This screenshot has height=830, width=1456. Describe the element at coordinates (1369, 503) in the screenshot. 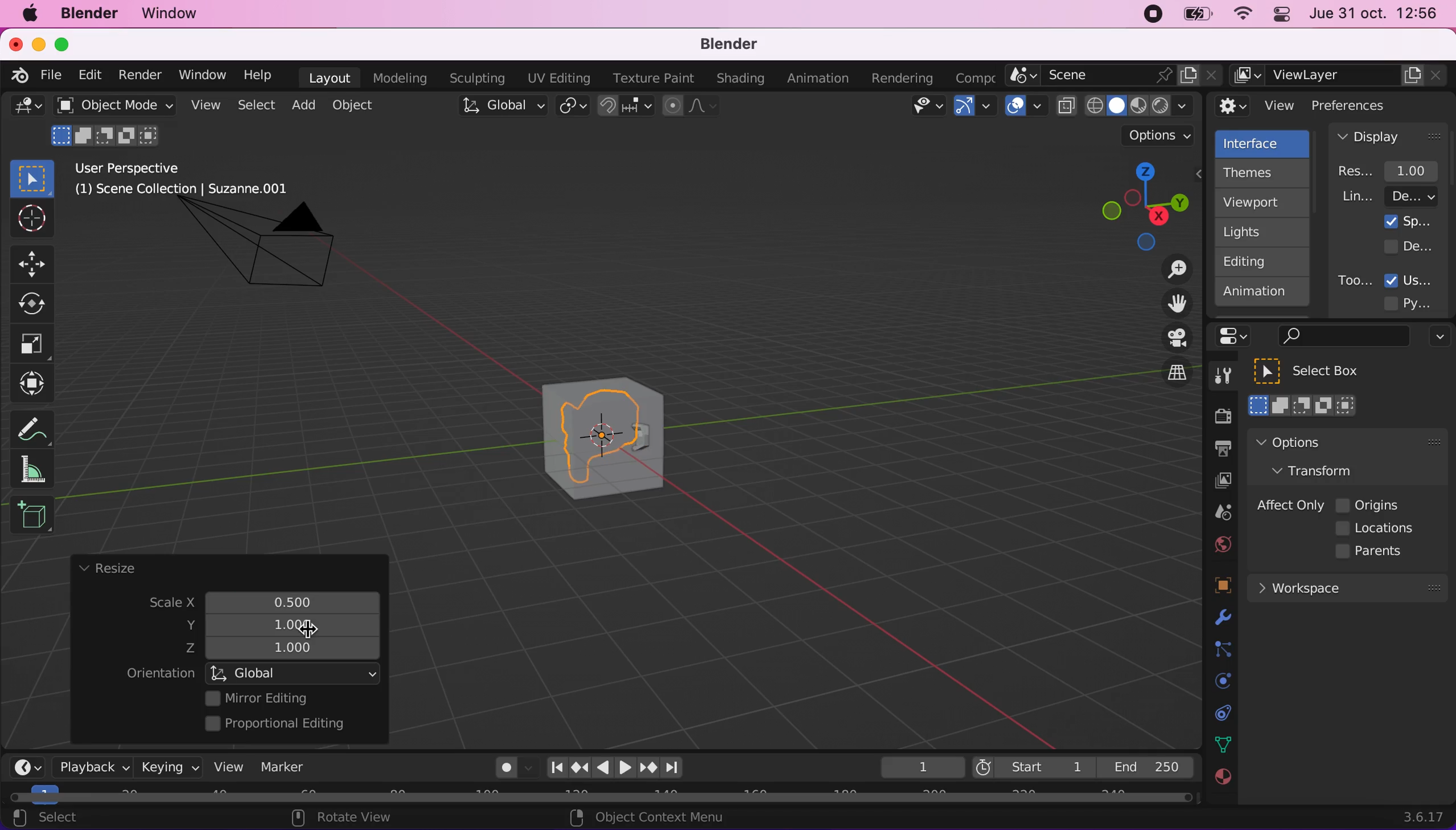

I see `origins` at that location.